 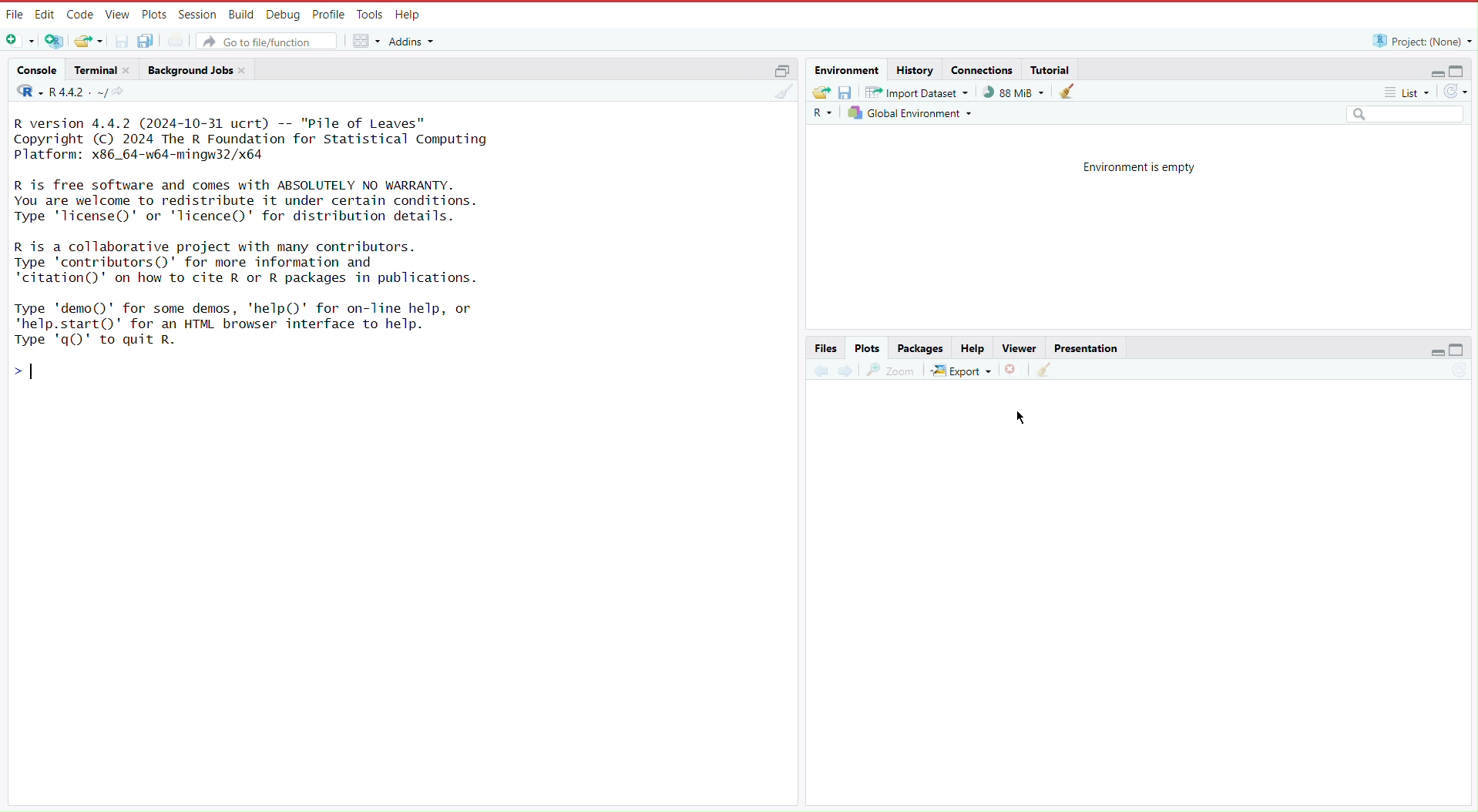 What do you see at coordinates (825, 113) in the screenshot?
I see `R` at bounding box center [825, 113].